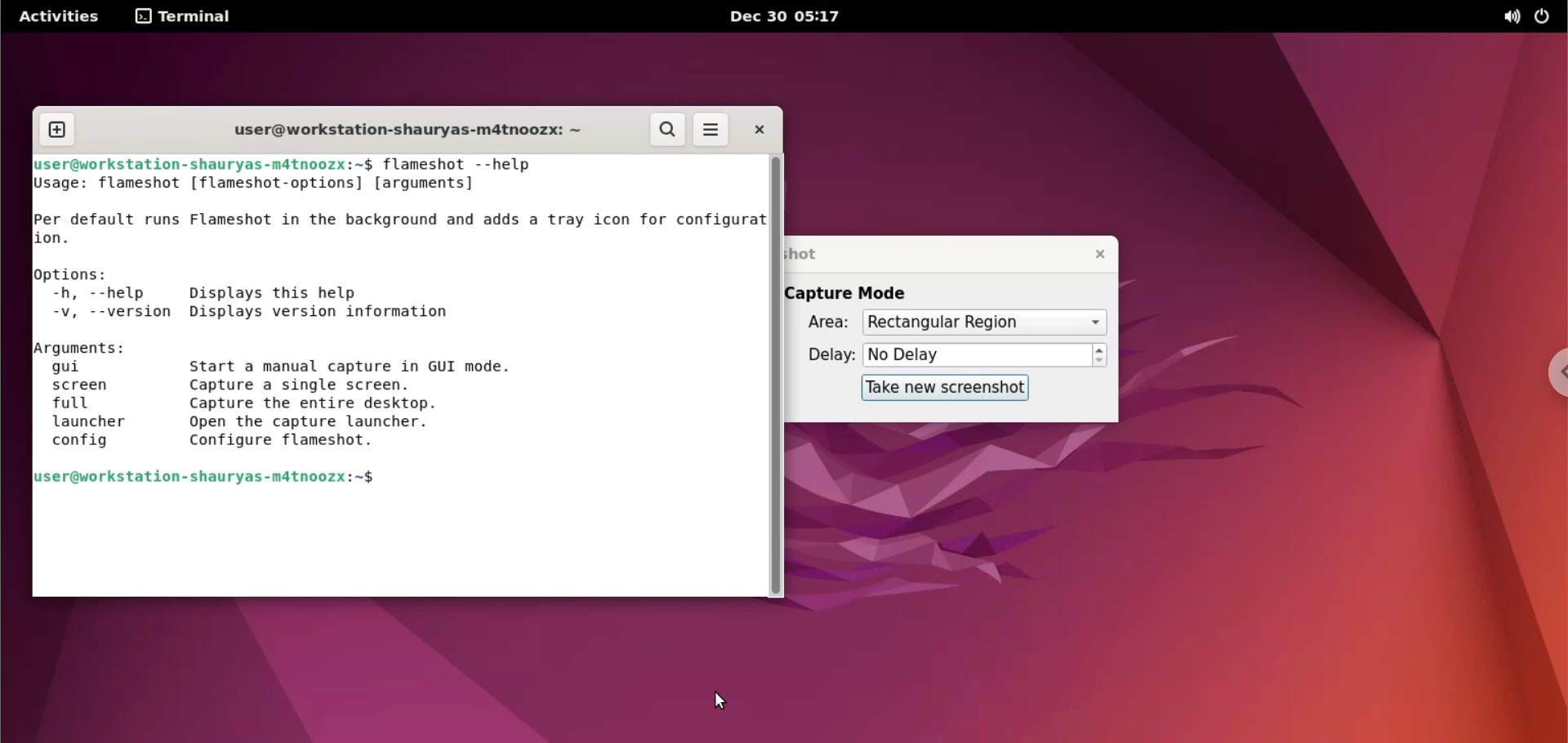 The height and width of the screenshot is (743, 1568). Describe the element at coordinates (667, 130) in the screenshot. I see `search ` at that location.